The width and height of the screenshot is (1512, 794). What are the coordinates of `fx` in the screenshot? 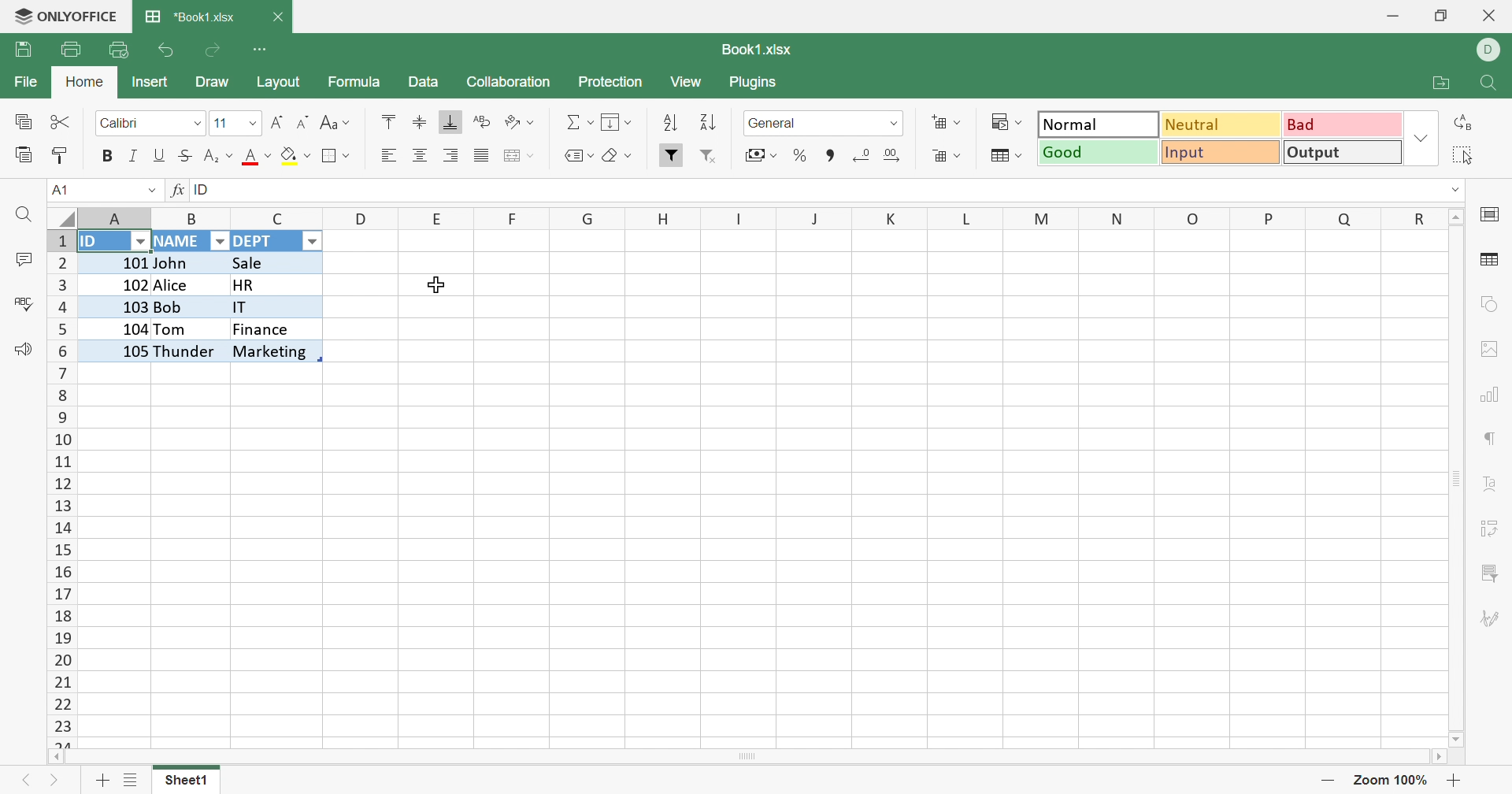 It's located at (172, 191).